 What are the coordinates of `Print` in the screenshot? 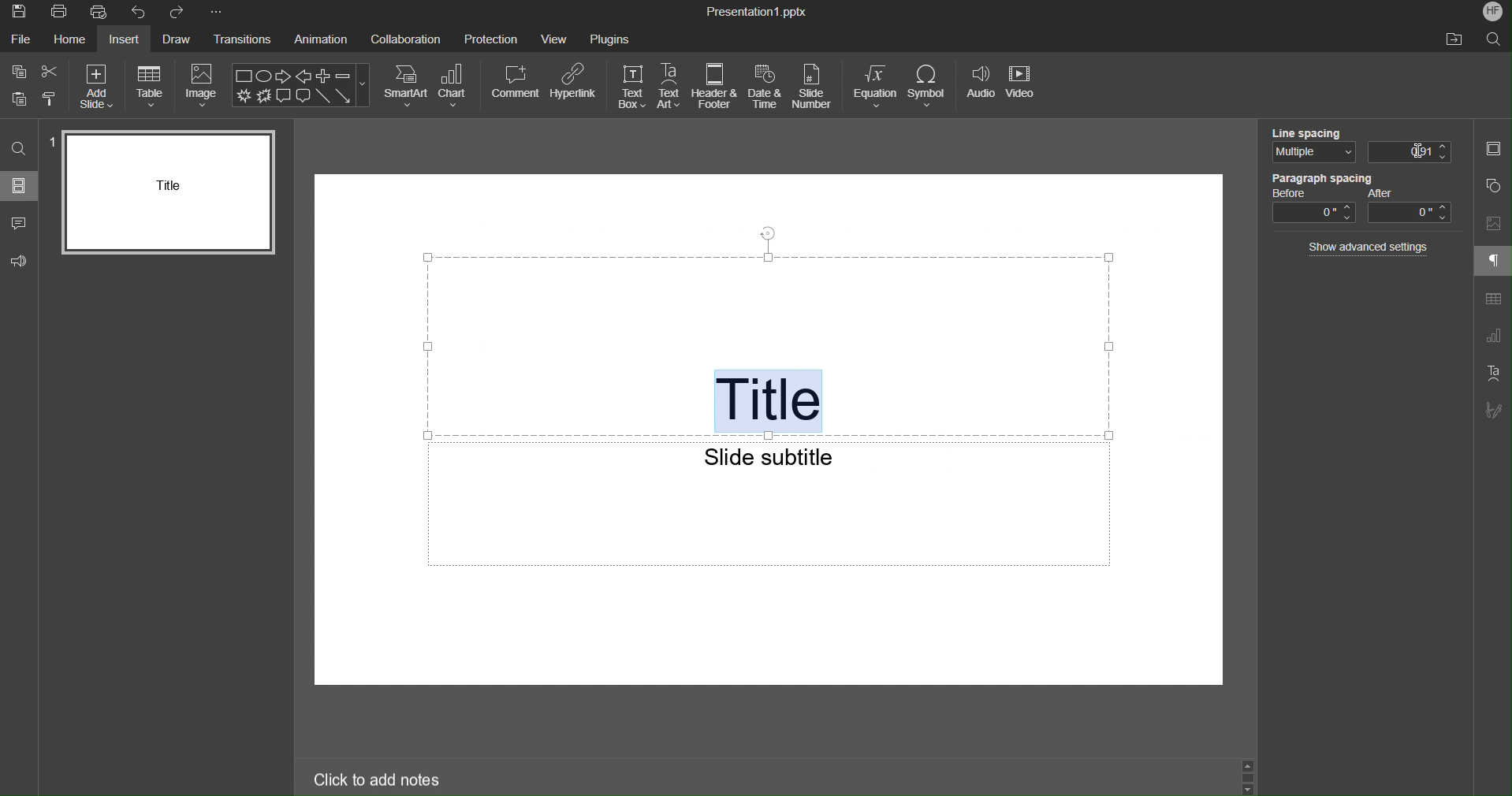 It's located at (58, 13).